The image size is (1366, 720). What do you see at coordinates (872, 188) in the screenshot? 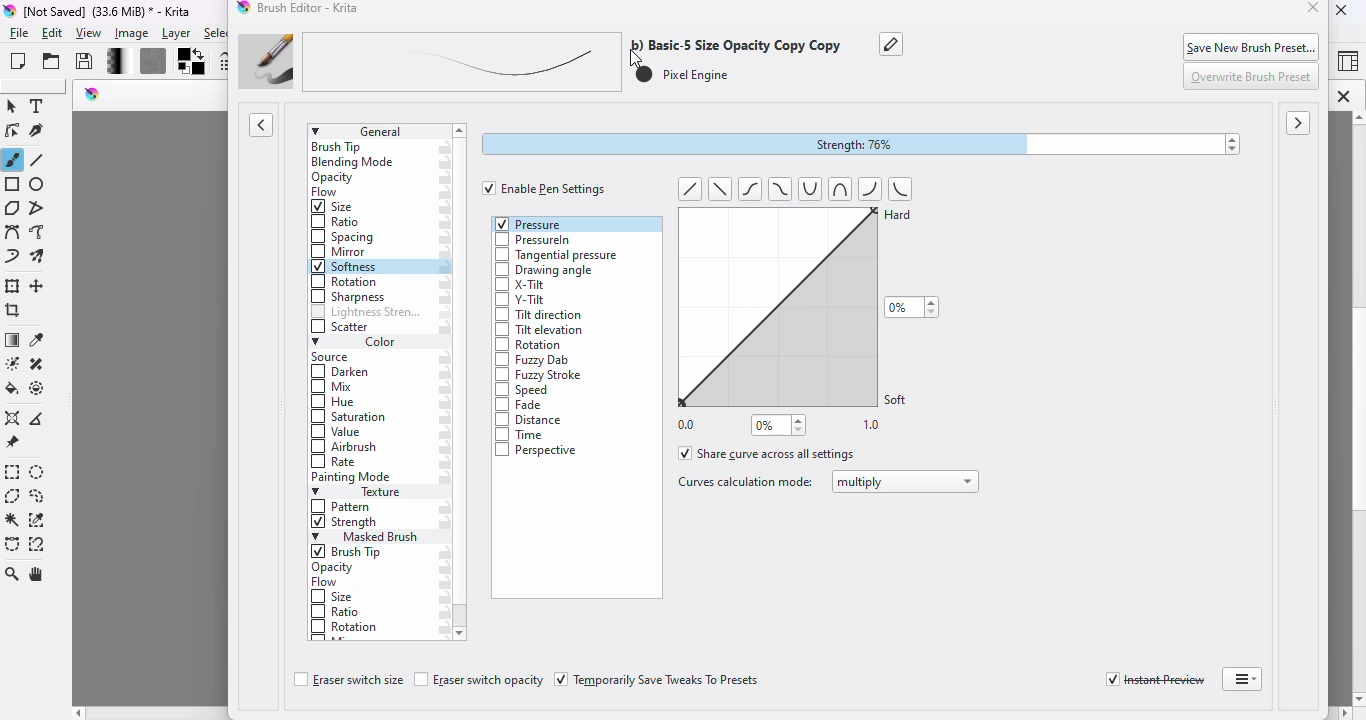
I see `half curve` at bounding box center [872, 188].